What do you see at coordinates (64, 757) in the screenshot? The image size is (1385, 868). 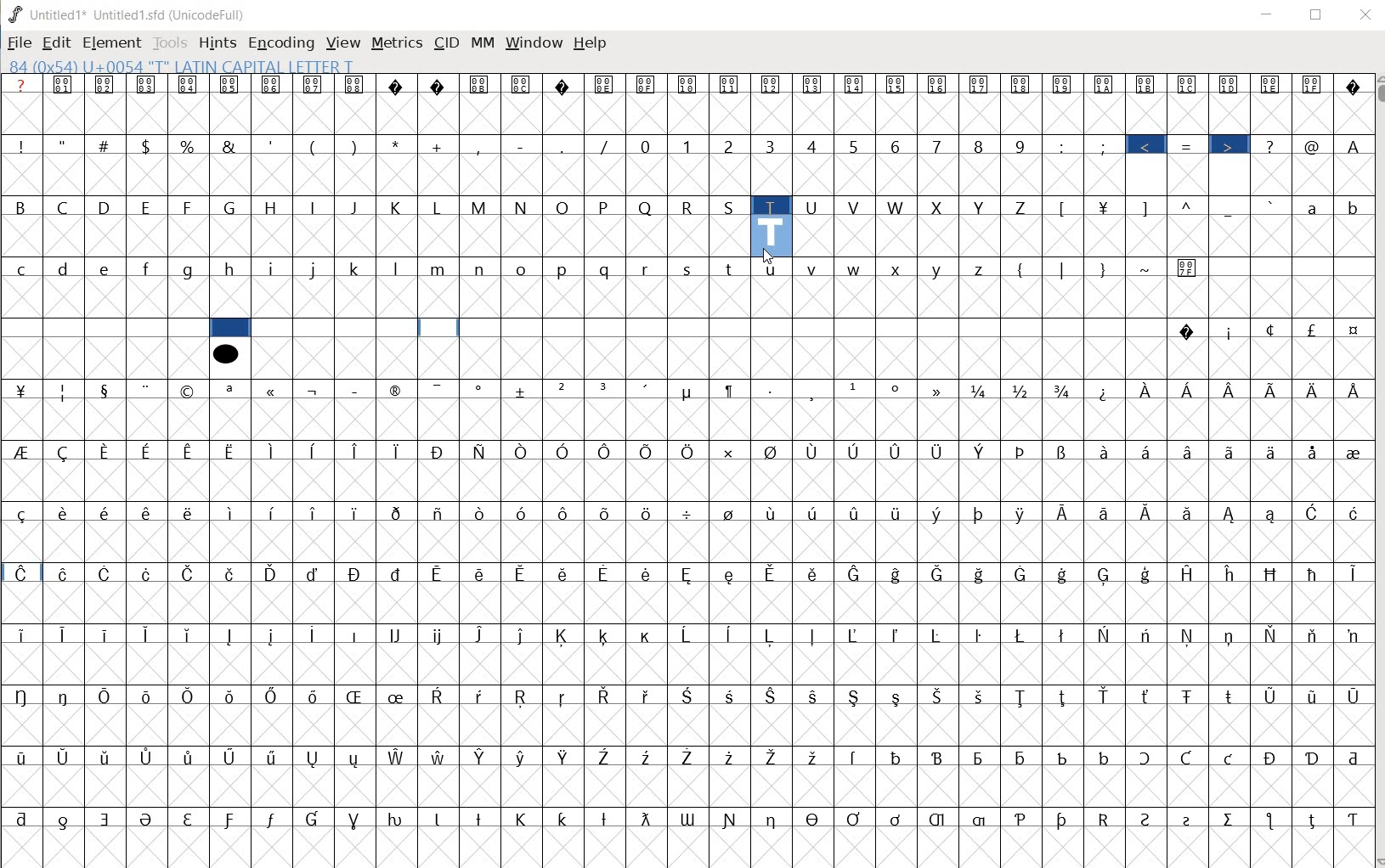 I see `Symbol` at bounding box center [64, 757].